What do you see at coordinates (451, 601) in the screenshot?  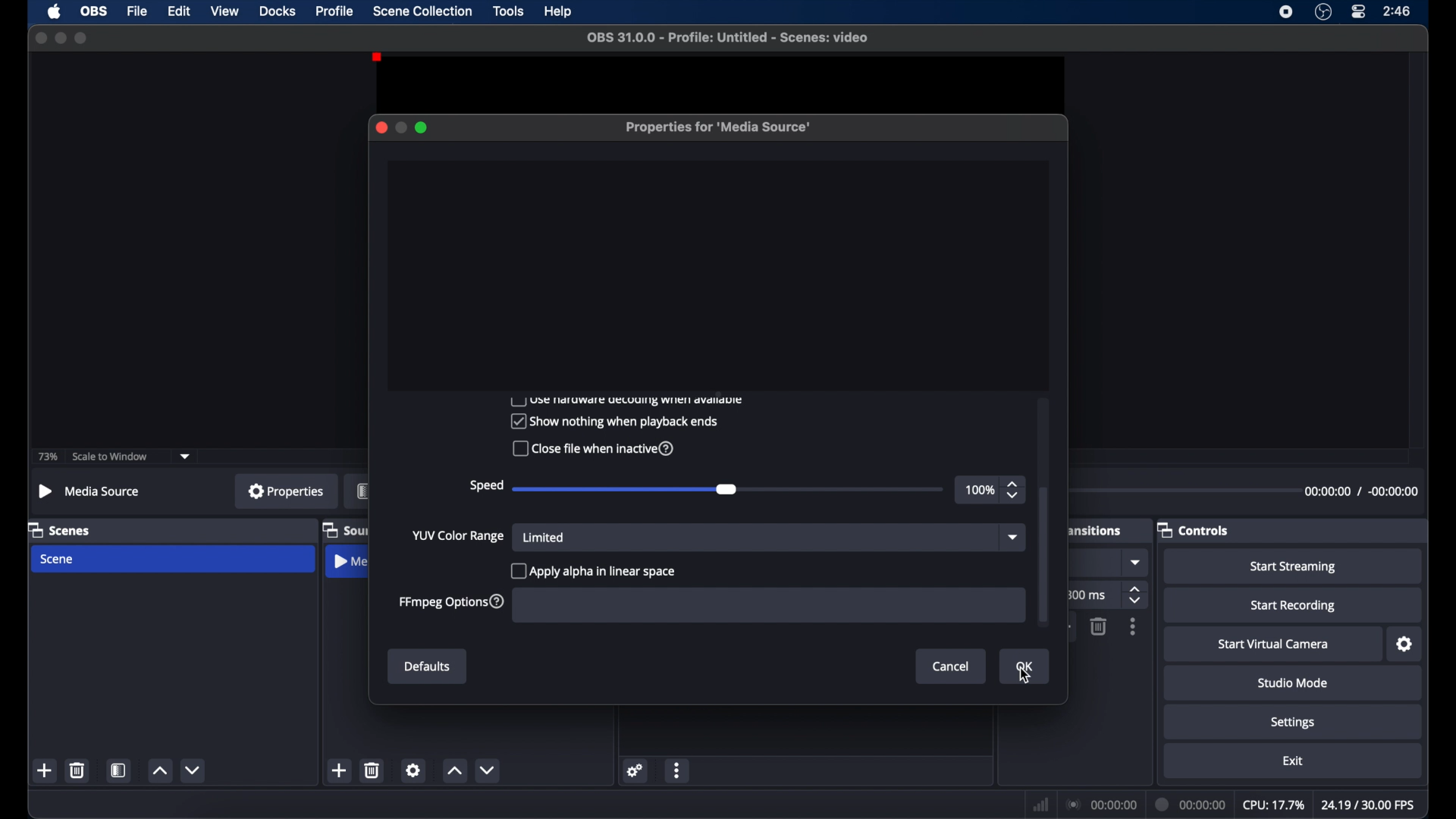 I see `ffmpeg options` at bounding box center [451, 601].